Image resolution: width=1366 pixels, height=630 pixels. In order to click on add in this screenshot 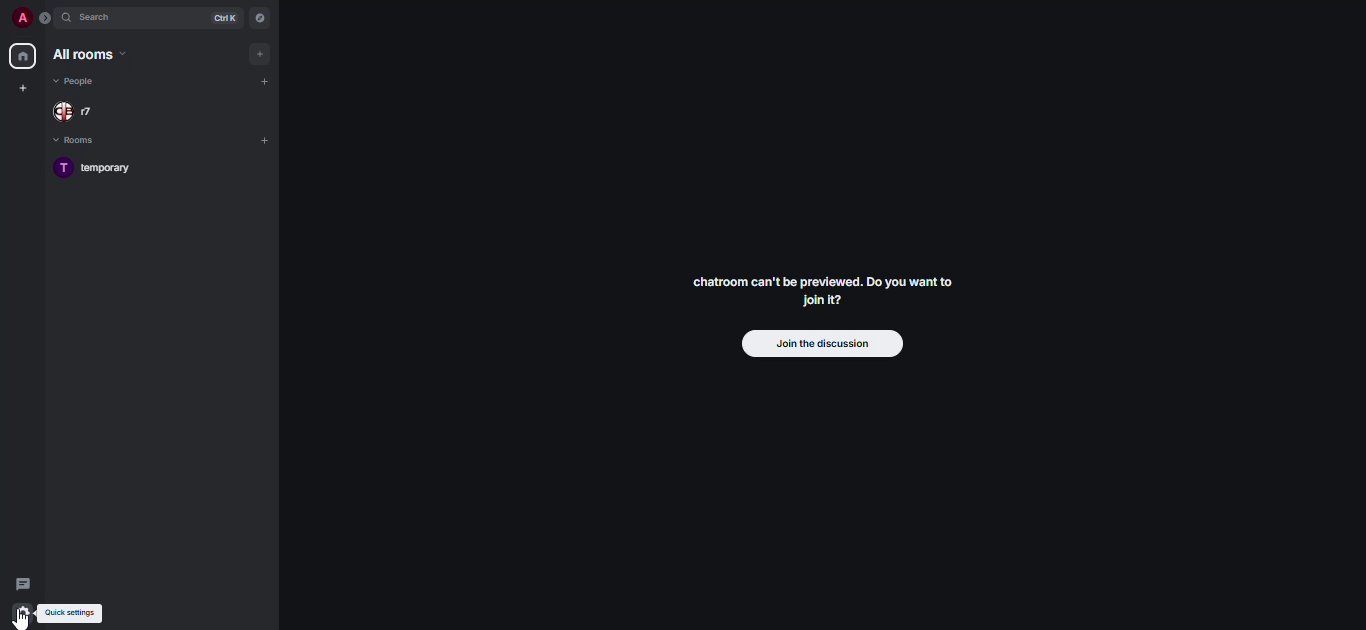, I will do `click(267, 139)`.